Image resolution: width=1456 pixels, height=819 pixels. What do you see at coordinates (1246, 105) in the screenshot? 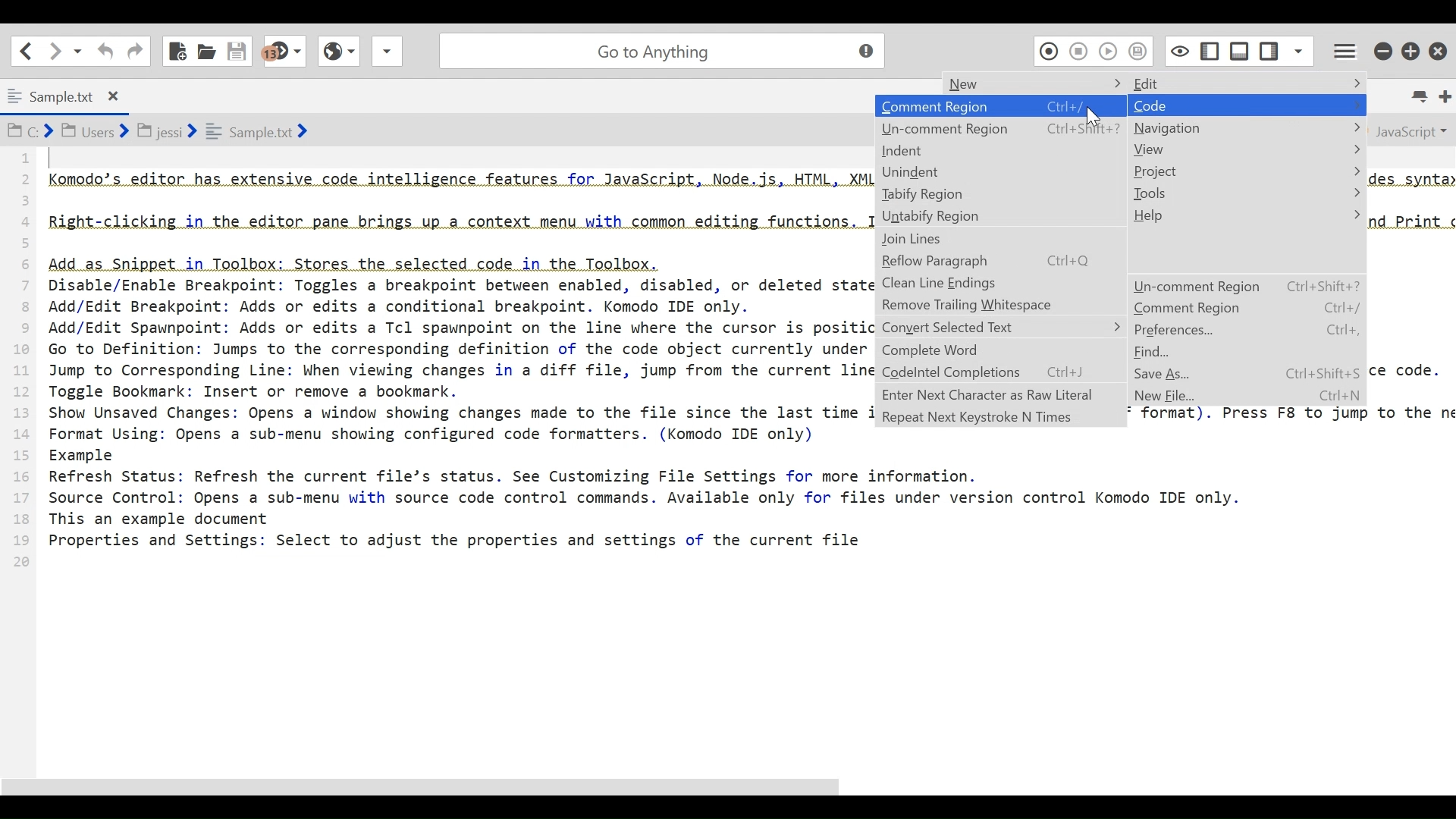
I see `Code` at bounding box center [1246, 105].